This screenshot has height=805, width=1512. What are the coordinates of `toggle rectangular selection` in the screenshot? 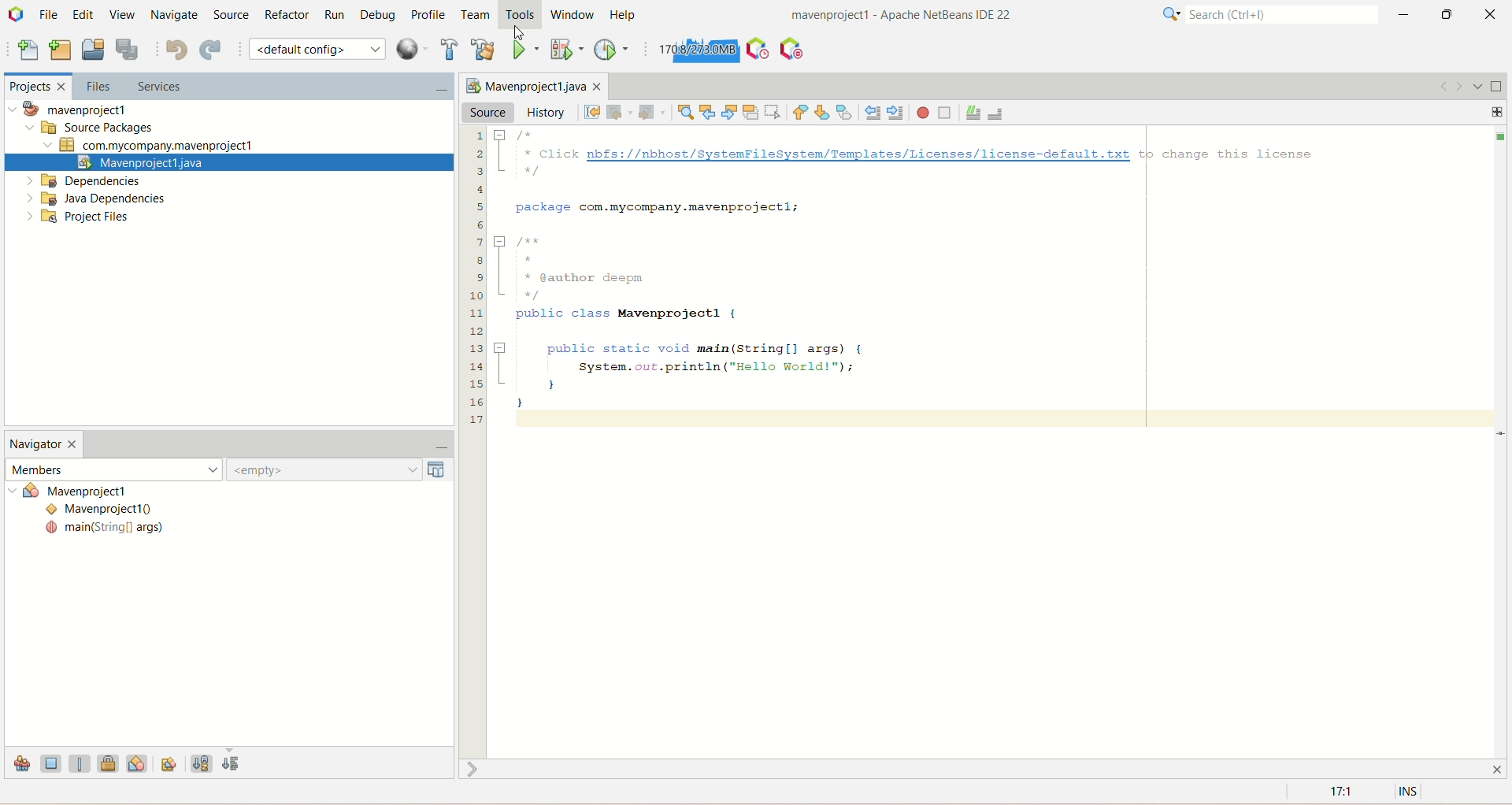 It's located at (774, 110).